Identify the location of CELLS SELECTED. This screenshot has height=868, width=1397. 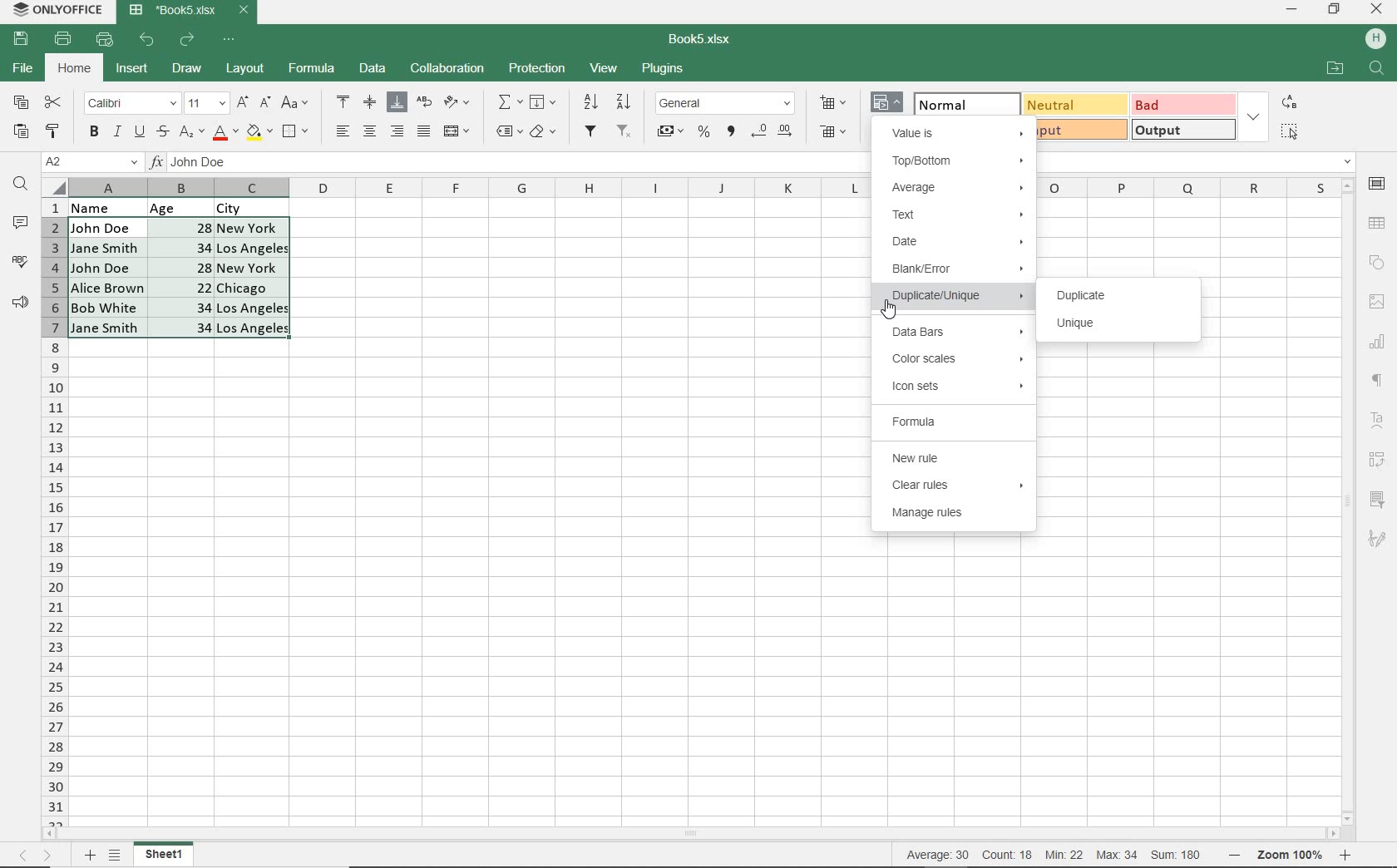
(180, 278).